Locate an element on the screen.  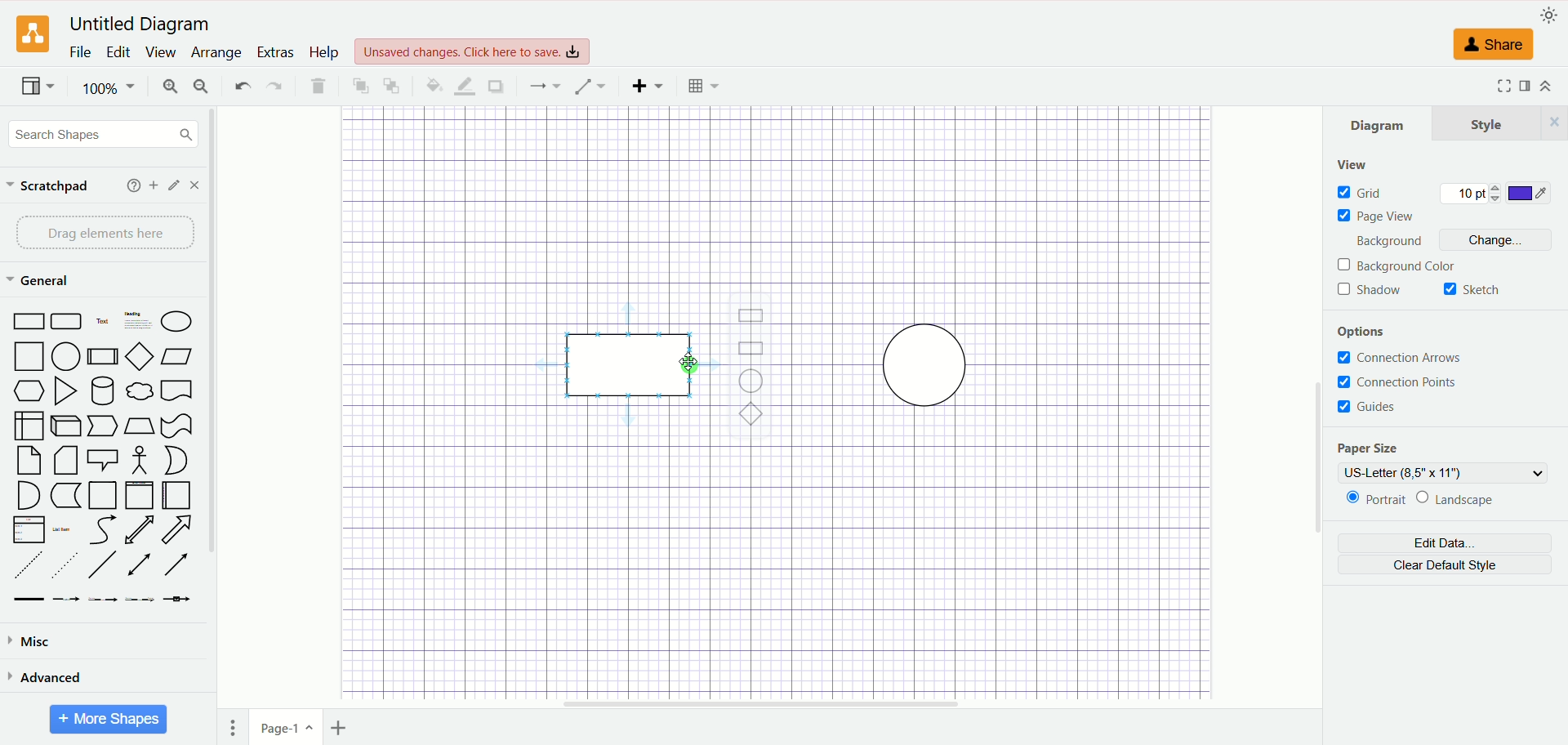
Heading with Text is located at coordinates (139, 323).